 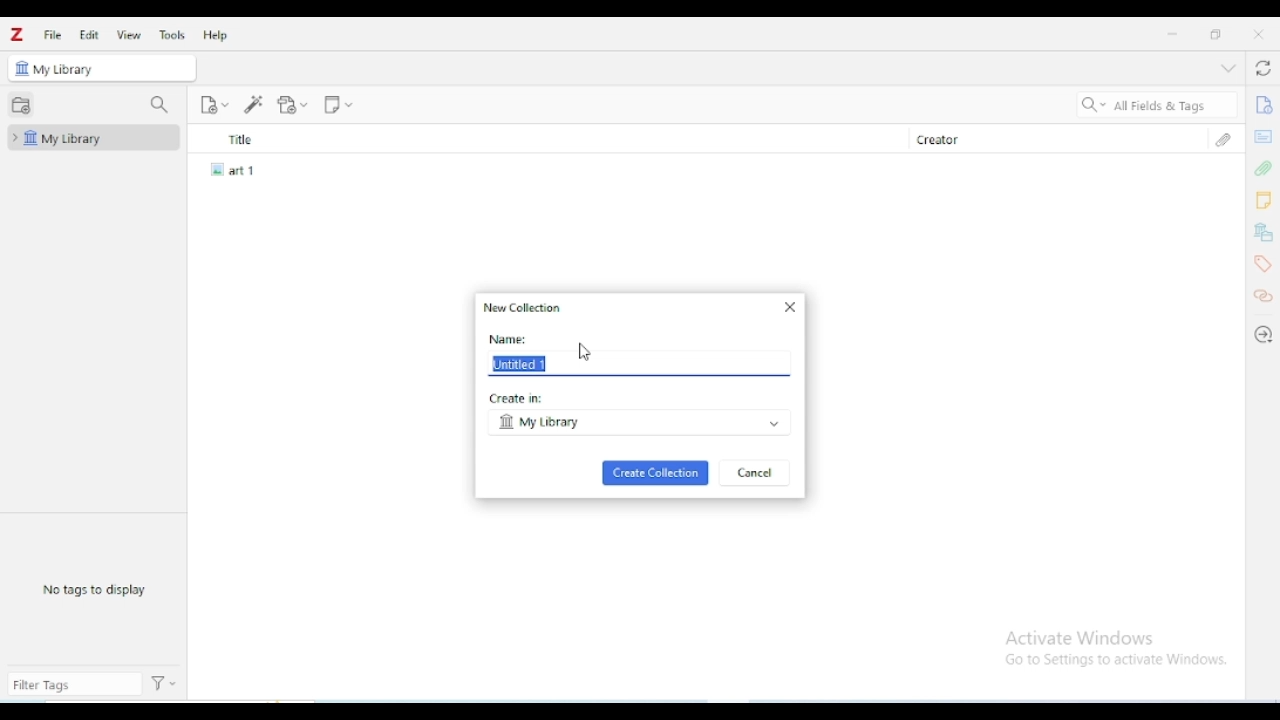 What do you see at coordinates (1262, 168) in the screenshot?
I see `attachments` at bounding box center [1262, 168].